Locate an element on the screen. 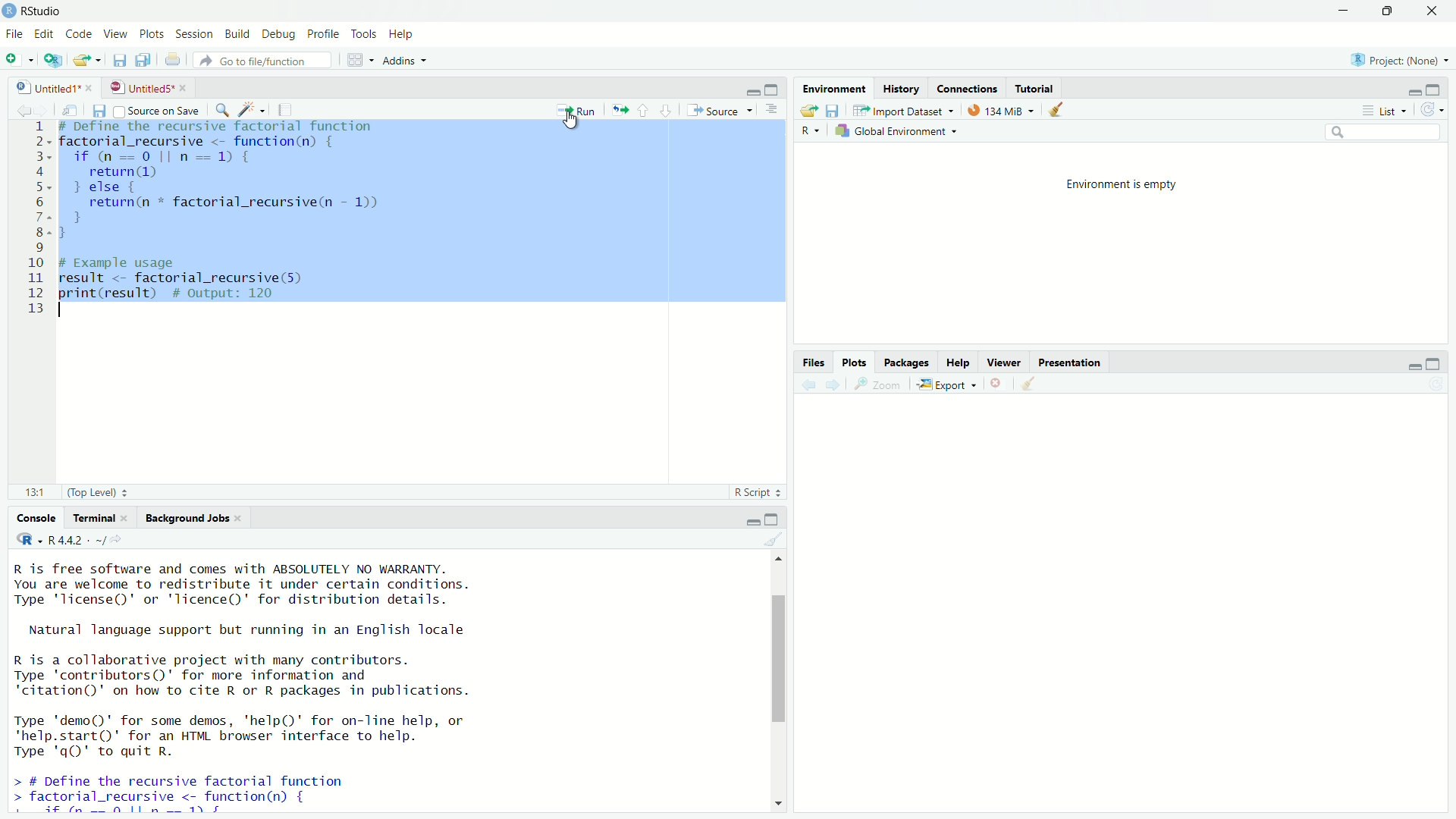 This screenshot has width=1456, height=819. Debug is located at coordinates (277, 33).